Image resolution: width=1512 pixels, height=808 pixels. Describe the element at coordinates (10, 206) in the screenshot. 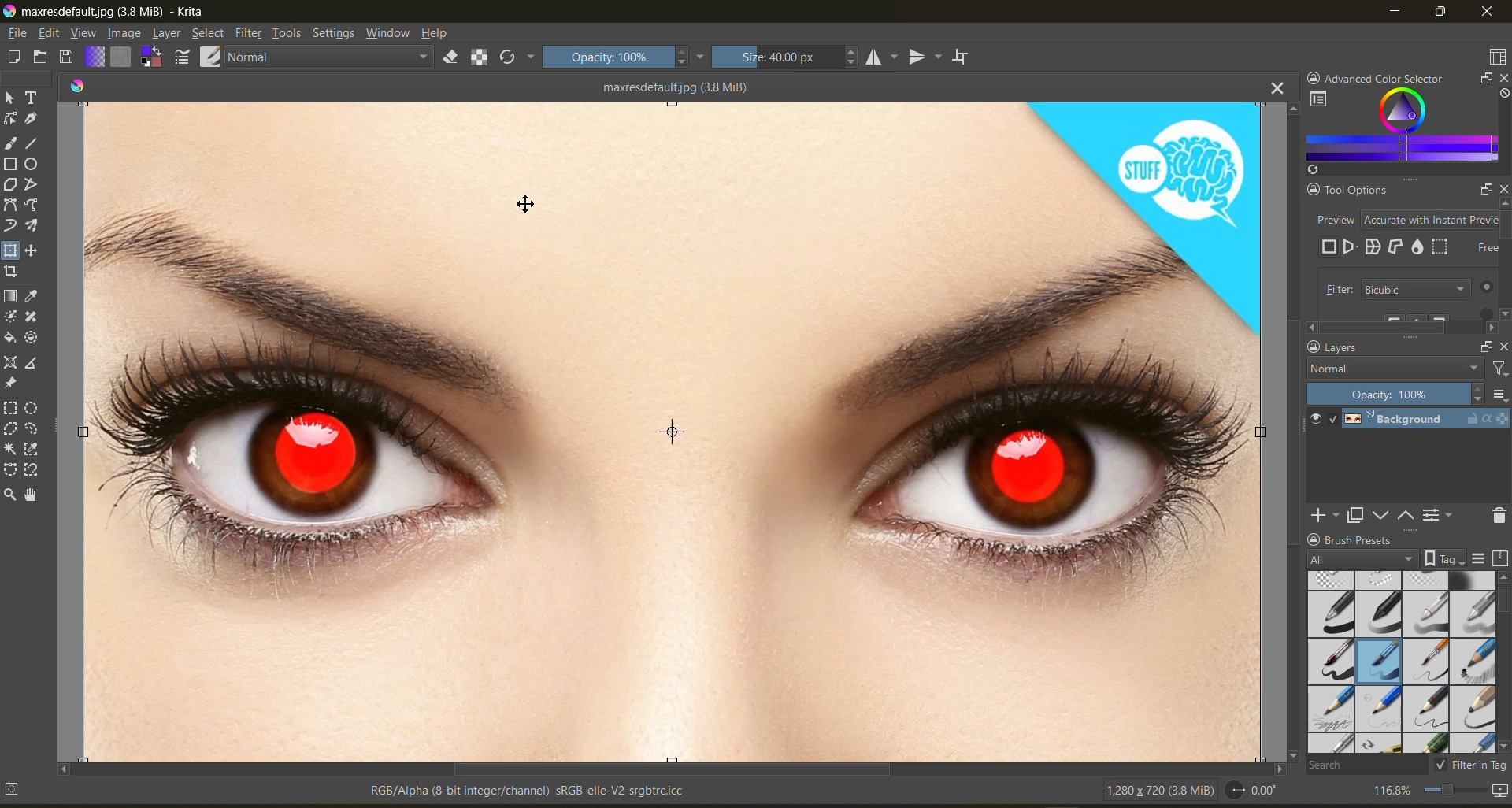

I see `tool` at that location.